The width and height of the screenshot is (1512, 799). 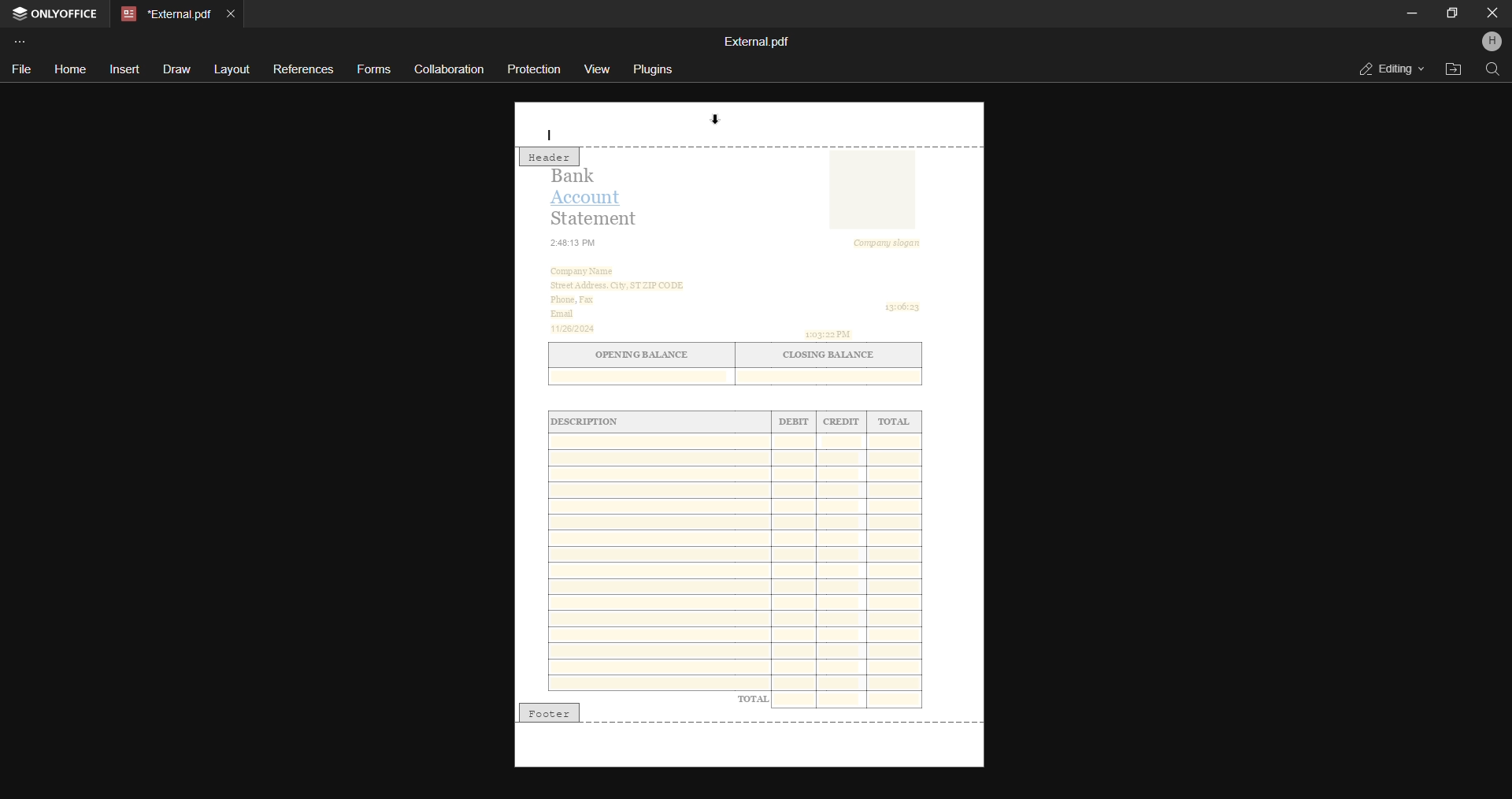 I want to click on draw, so click(x=174, y=69).